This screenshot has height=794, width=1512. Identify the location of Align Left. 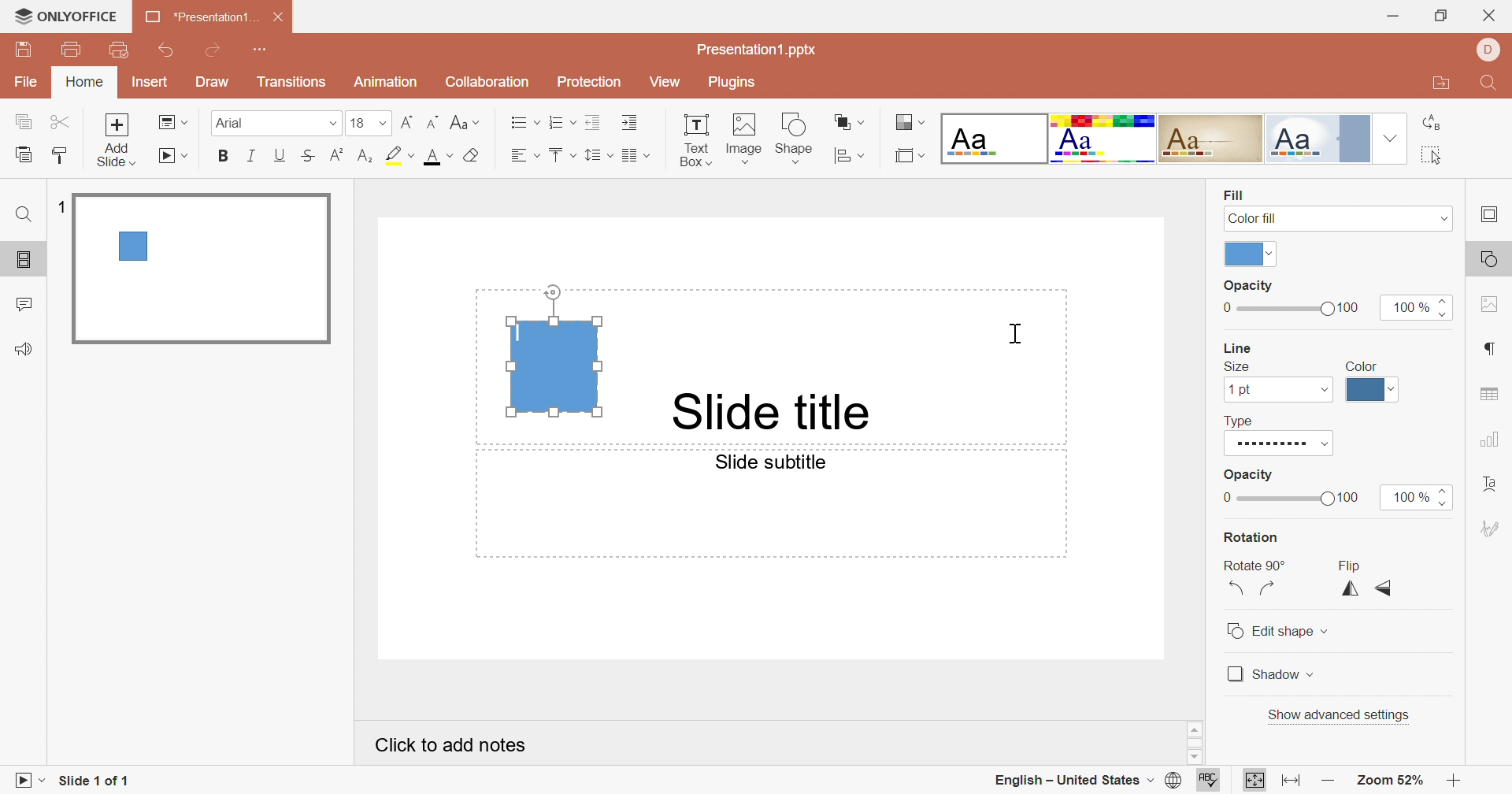
(525, 157).